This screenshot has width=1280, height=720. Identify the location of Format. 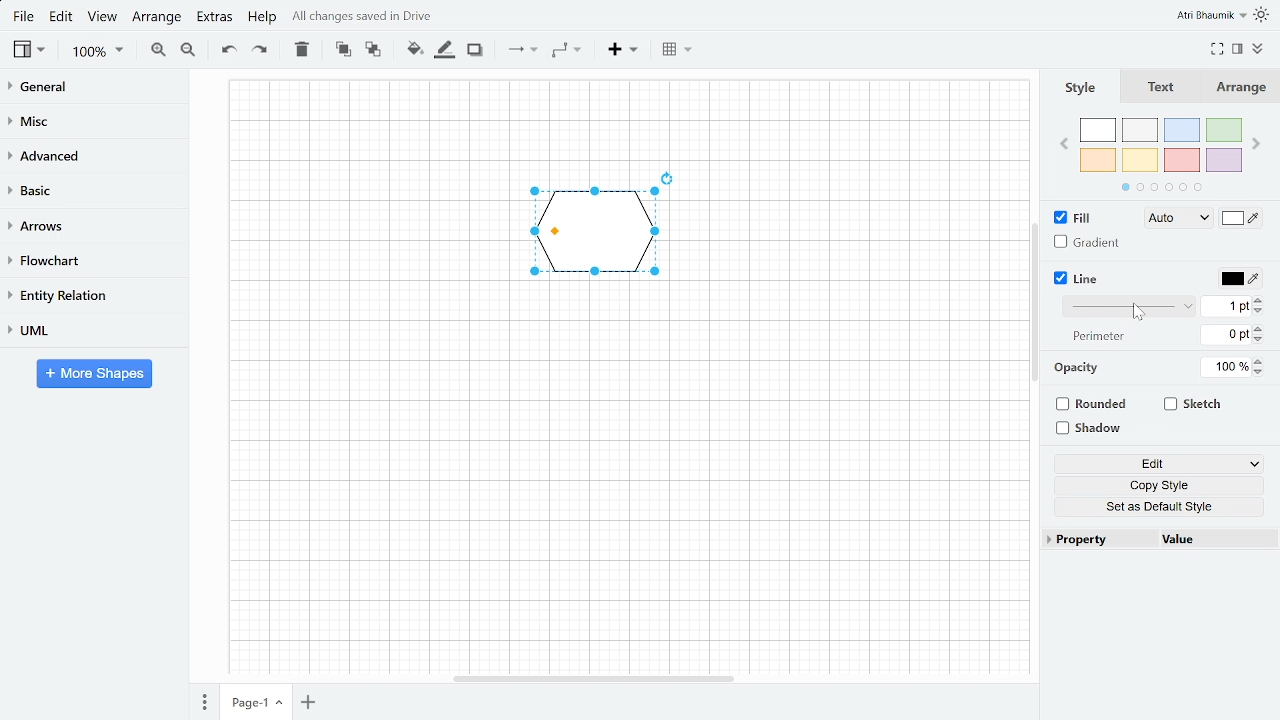
(1237, 46).